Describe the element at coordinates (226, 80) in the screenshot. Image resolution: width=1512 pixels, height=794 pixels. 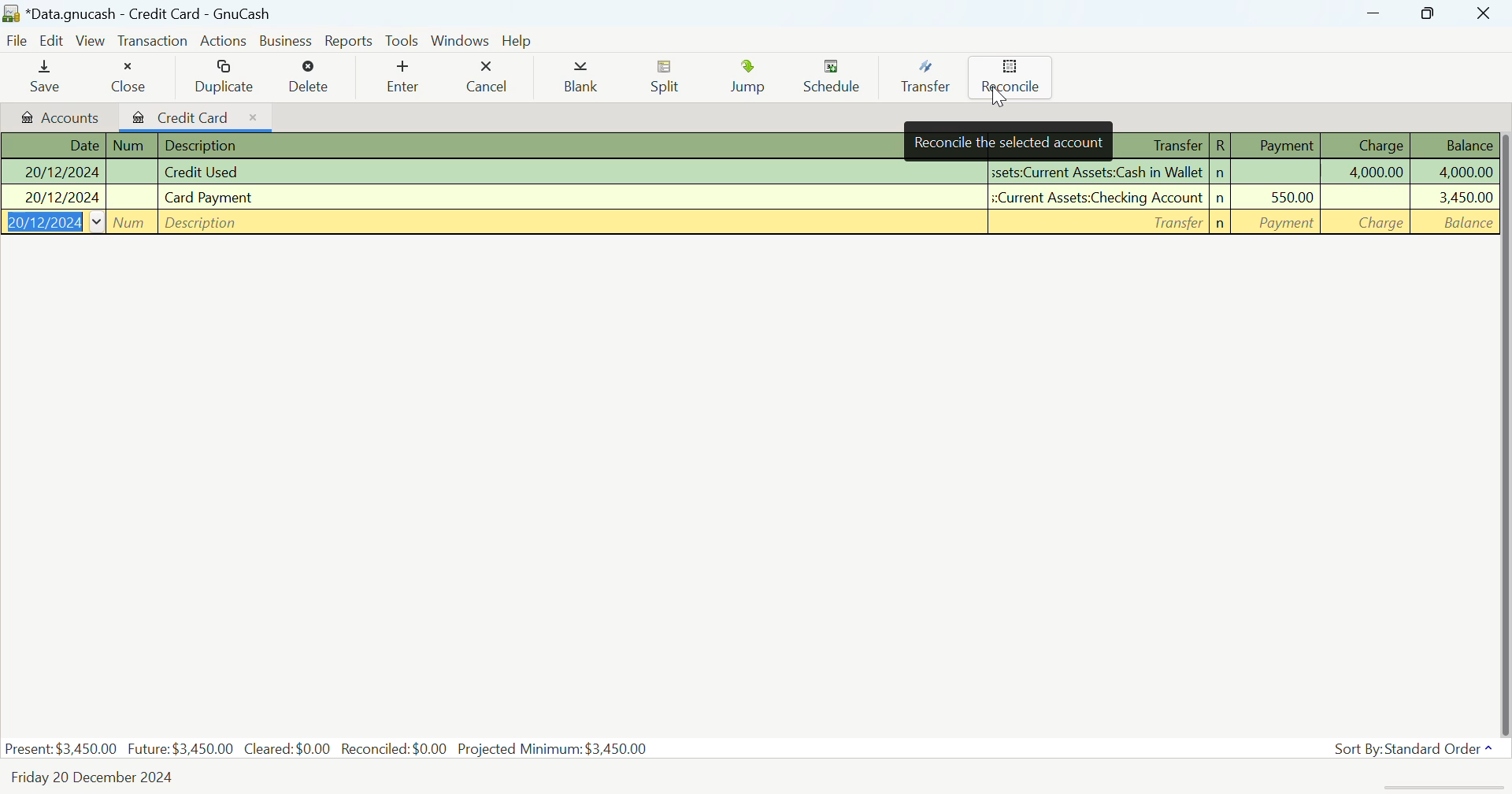
I see `Duplicate` at that location.